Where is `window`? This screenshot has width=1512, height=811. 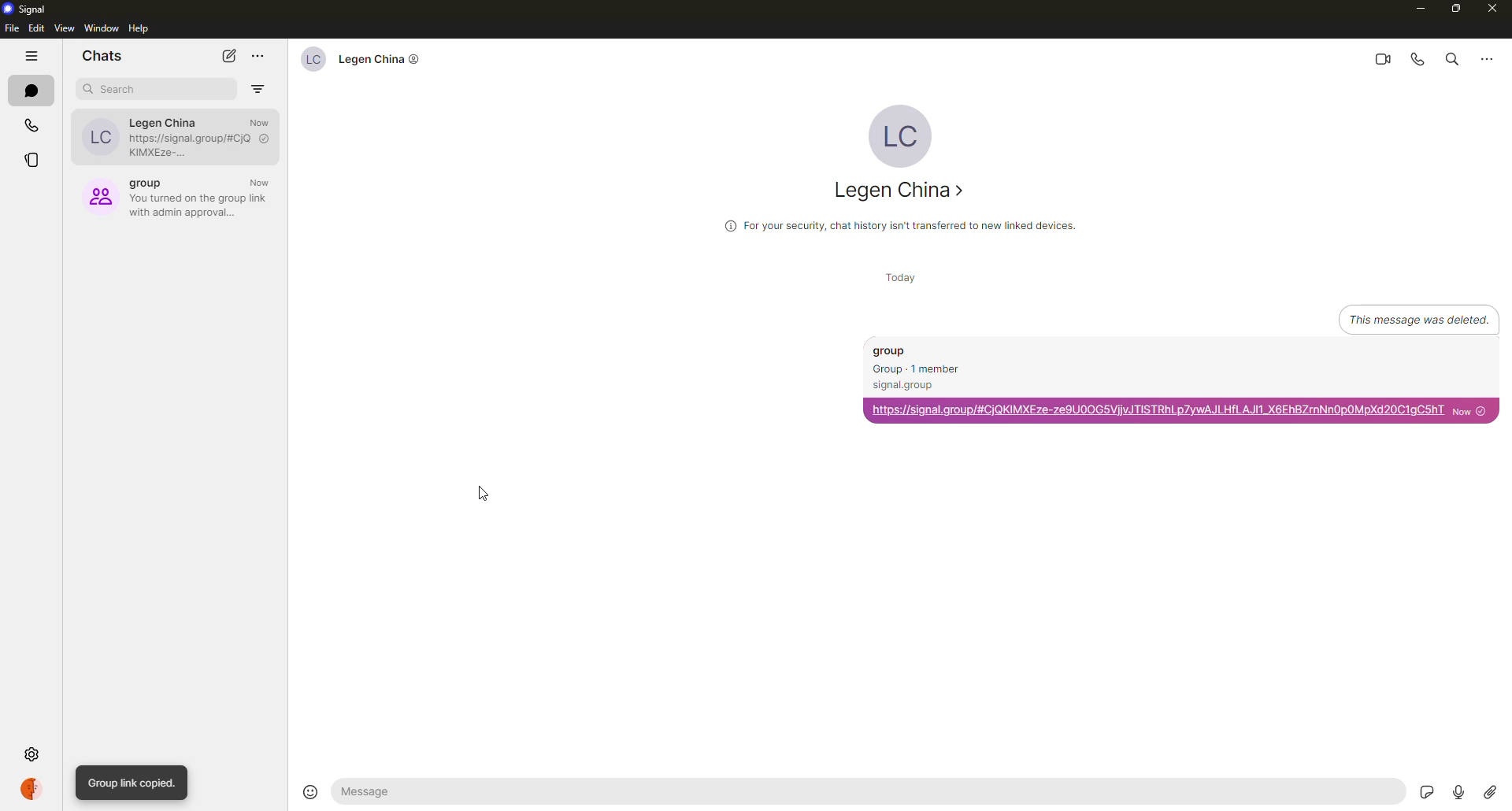
window is located at coordinates (102, 28).